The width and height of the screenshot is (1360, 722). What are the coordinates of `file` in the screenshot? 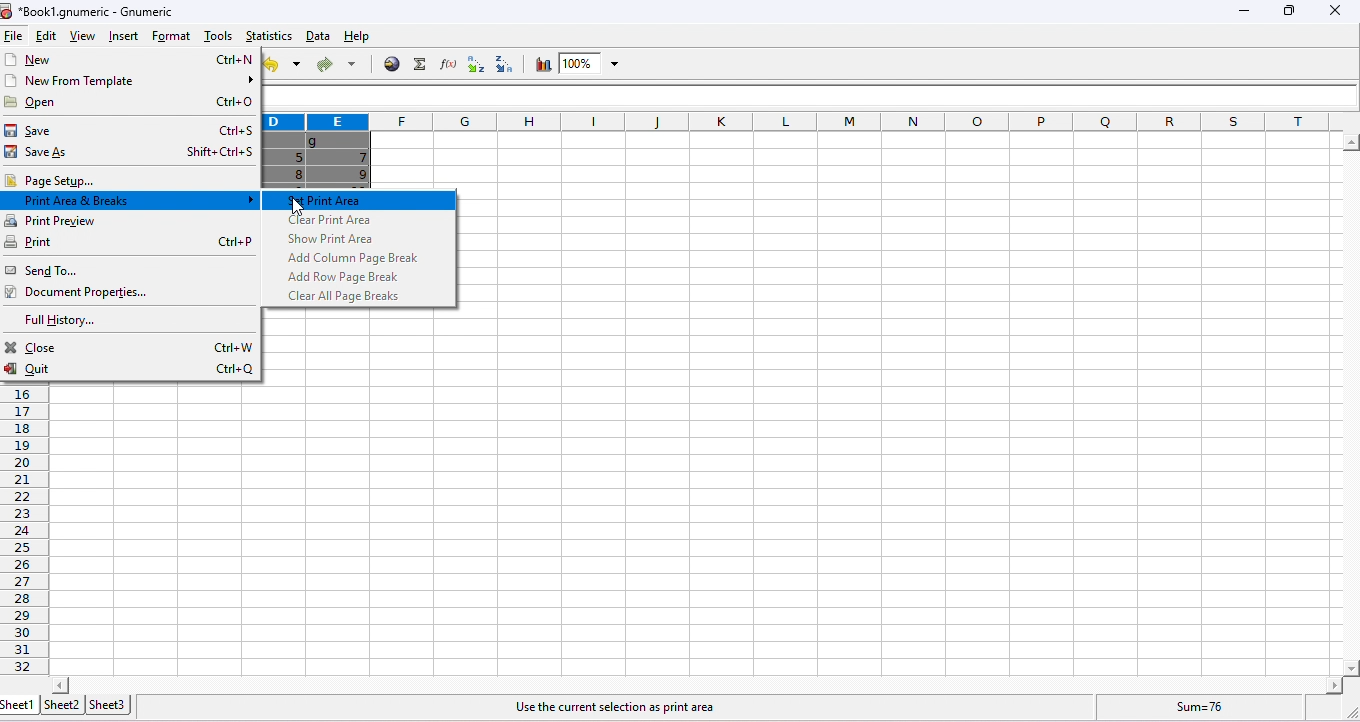 It's located at (14, 37).